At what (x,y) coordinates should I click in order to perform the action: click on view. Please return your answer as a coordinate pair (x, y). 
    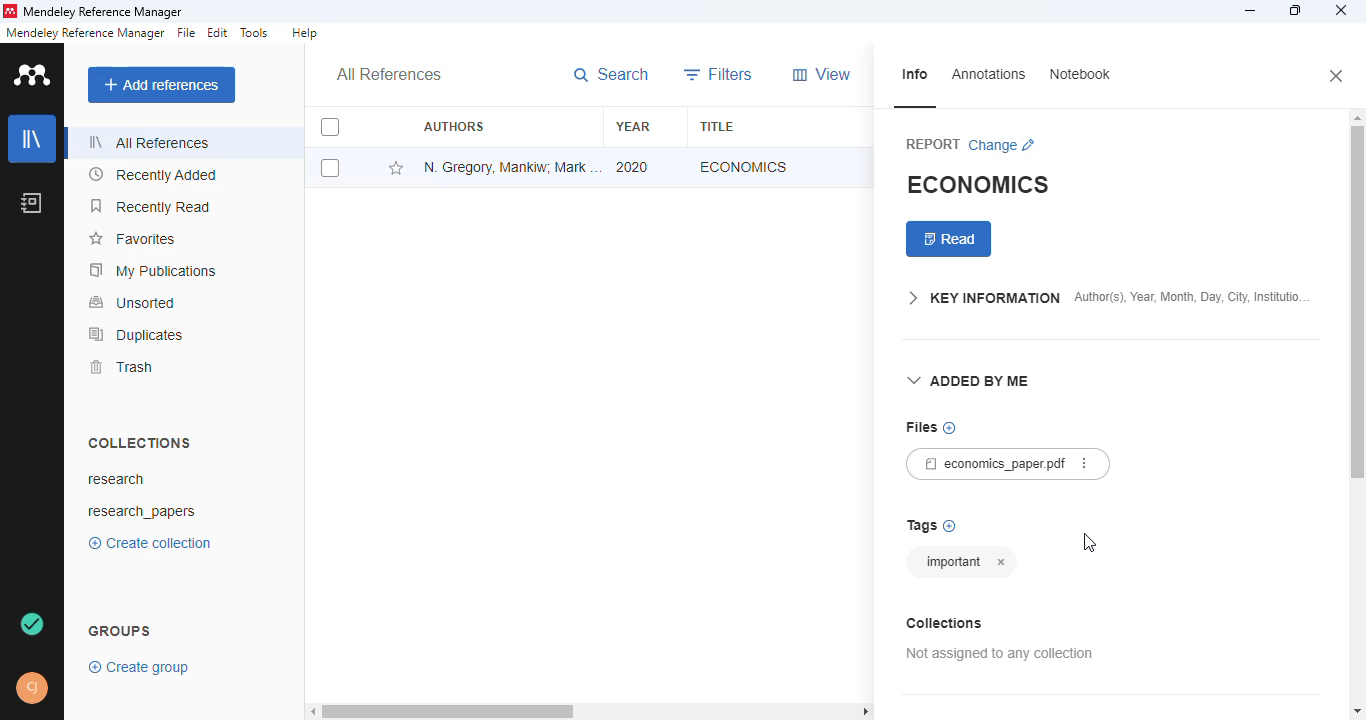
    Looking at the image, I should click on (821, 74).